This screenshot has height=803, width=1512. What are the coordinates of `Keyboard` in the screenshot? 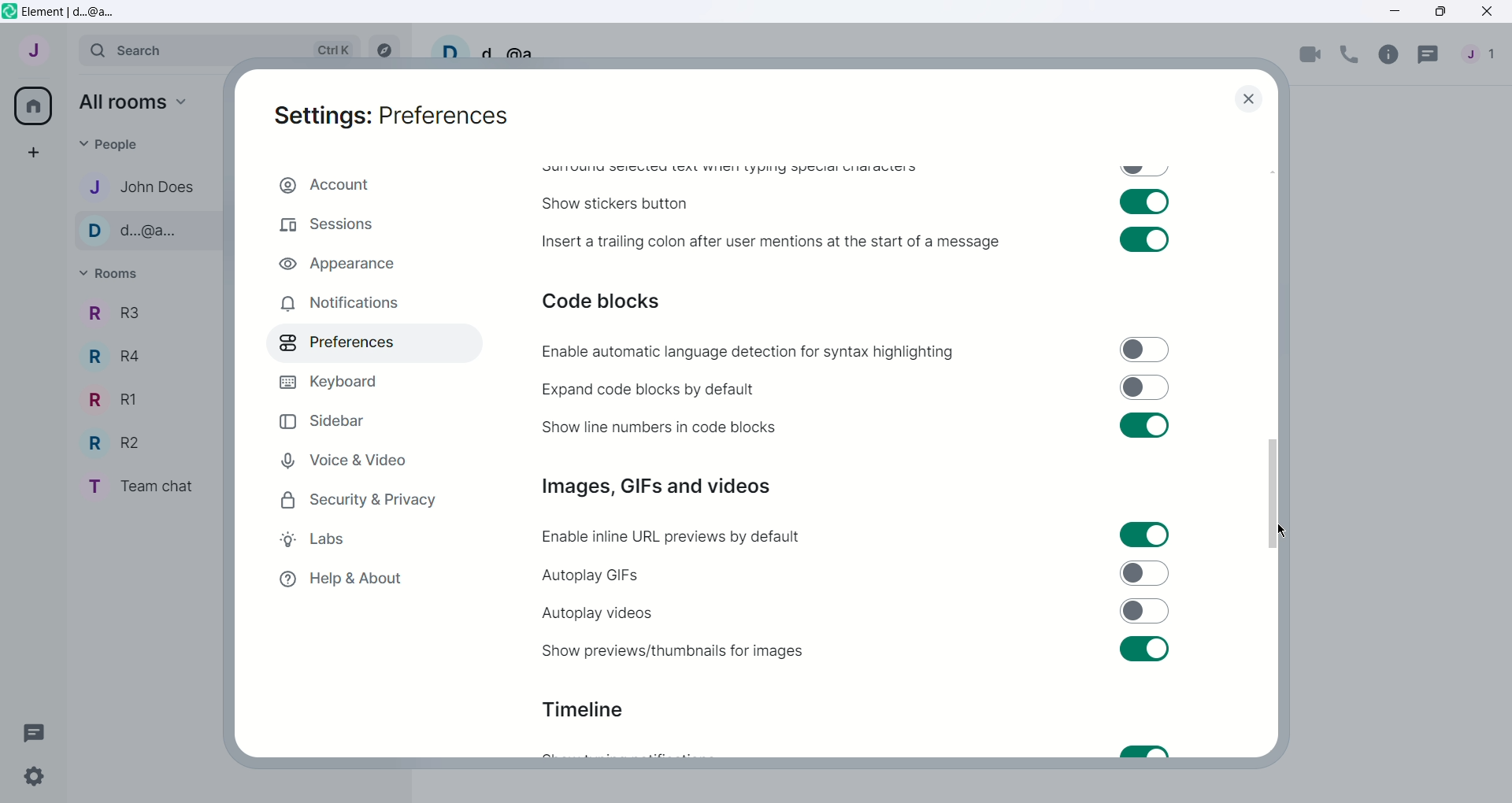 It's located at (351, 382).